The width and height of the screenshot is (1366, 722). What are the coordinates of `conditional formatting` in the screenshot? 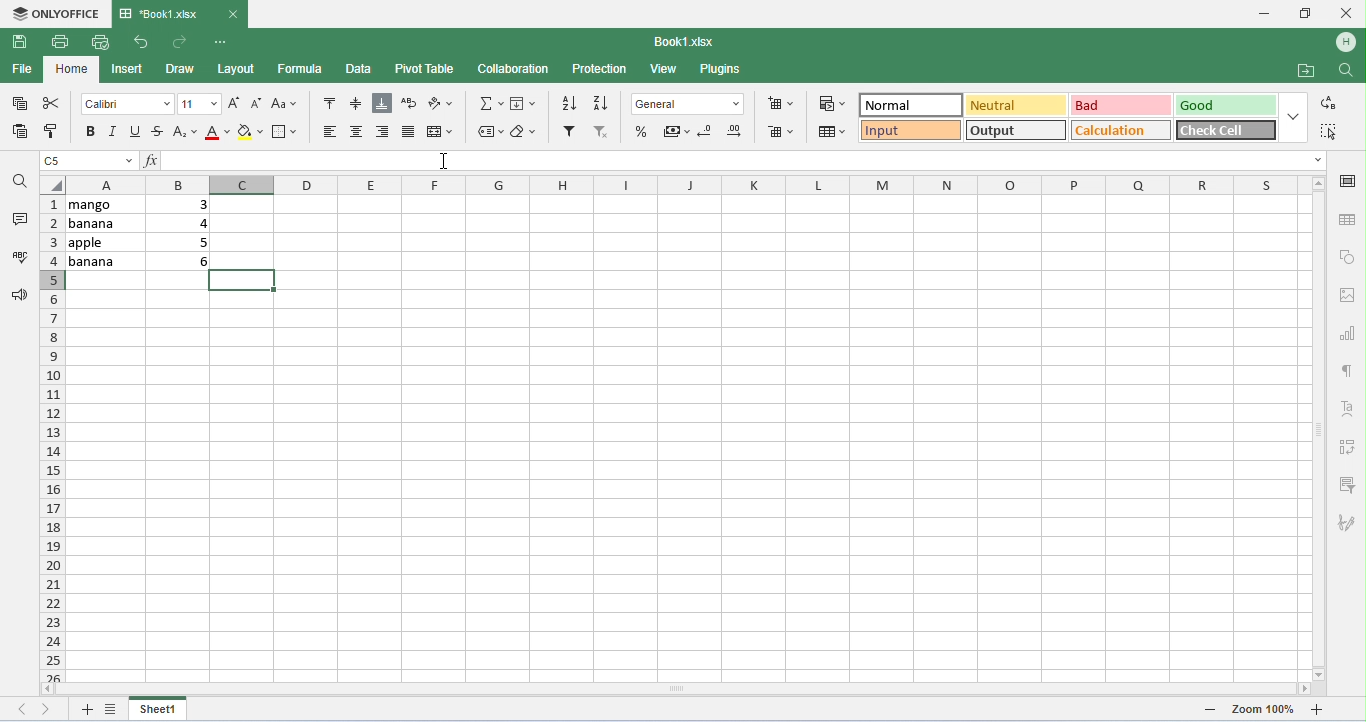 It's located at (831, 104).